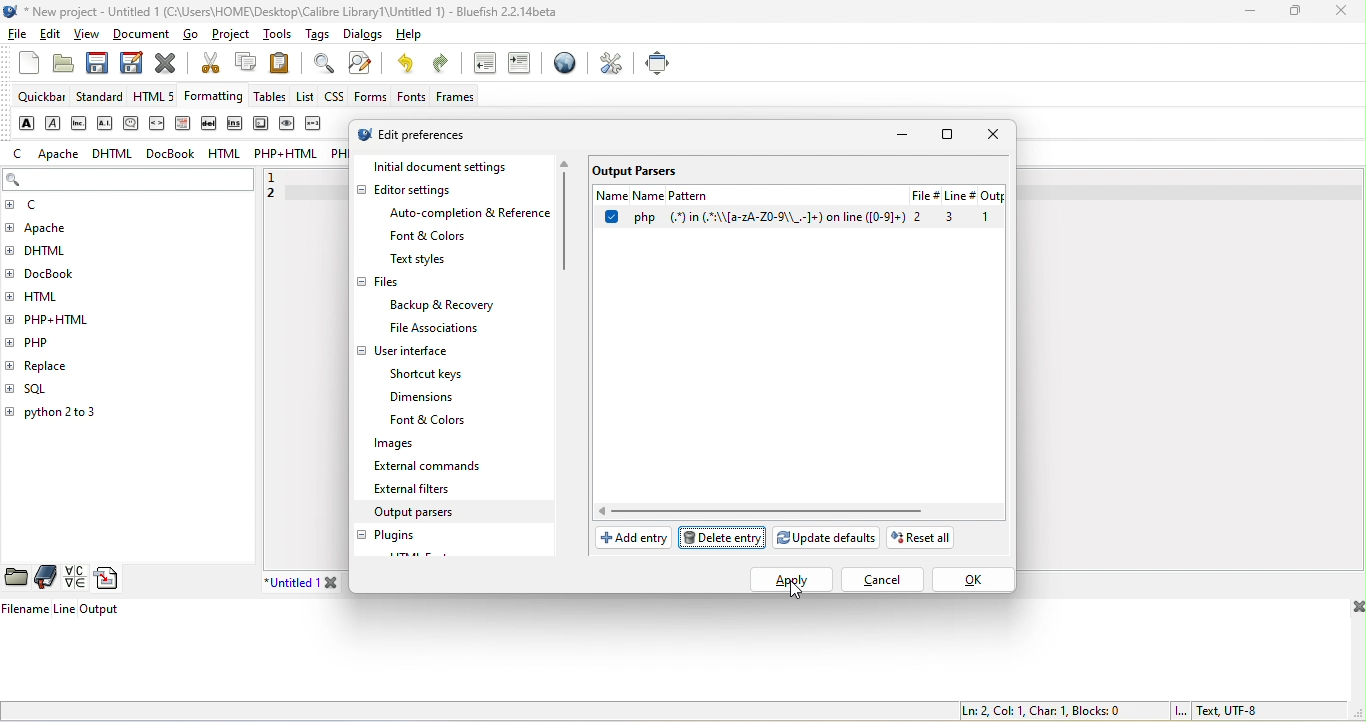 The width and height of the screenshot is (1366, 722). I want to click on auto completion & reference, so click(474, 213).